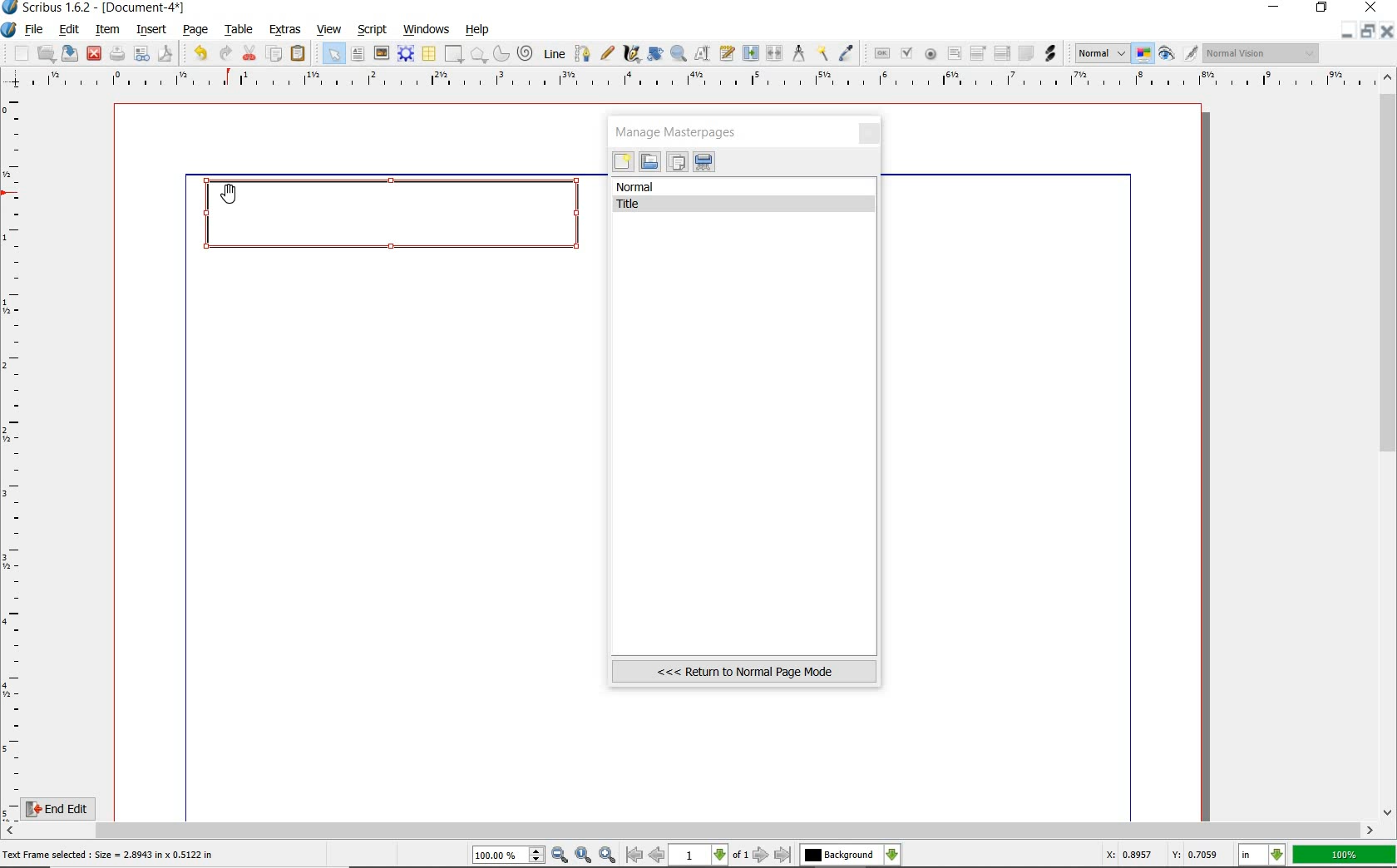  I want to click on page, so click(196, 28).